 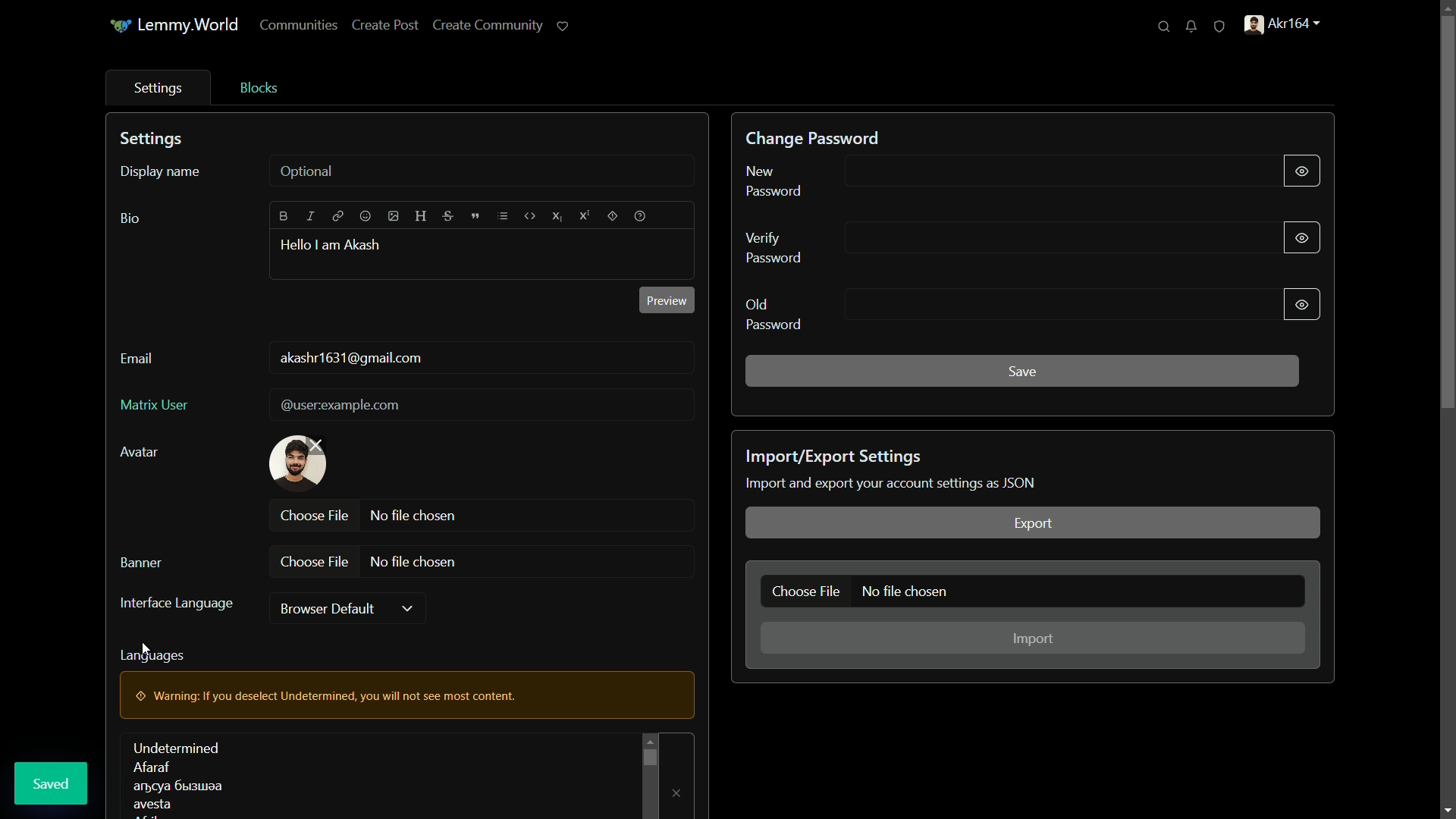 I want to click on @userexample.com, so click(x=343, y=406).